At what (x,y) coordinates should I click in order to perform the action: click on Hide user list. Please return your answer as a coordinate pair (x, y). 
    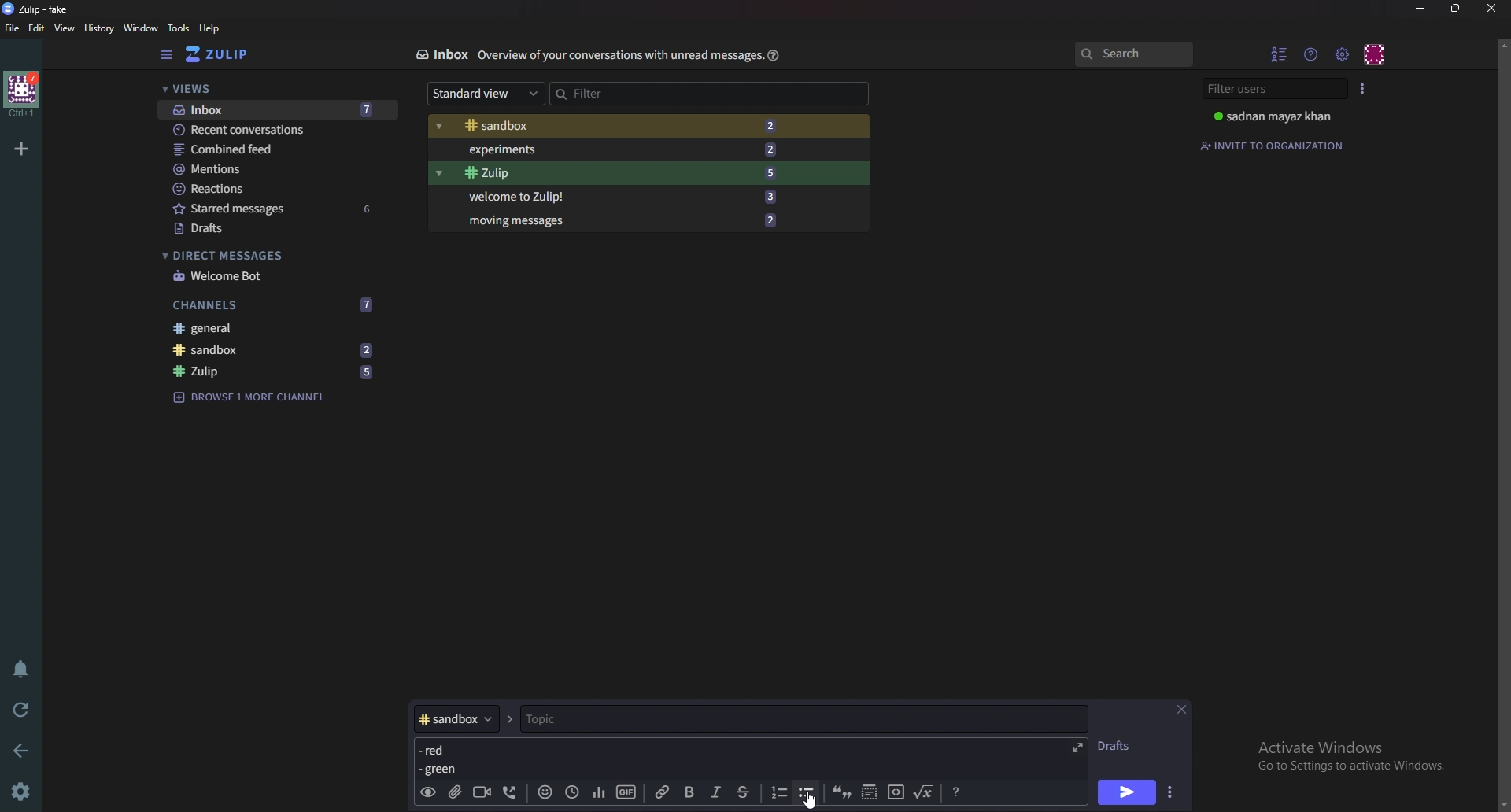
    Looking at the image, I should click on (1280, 54).